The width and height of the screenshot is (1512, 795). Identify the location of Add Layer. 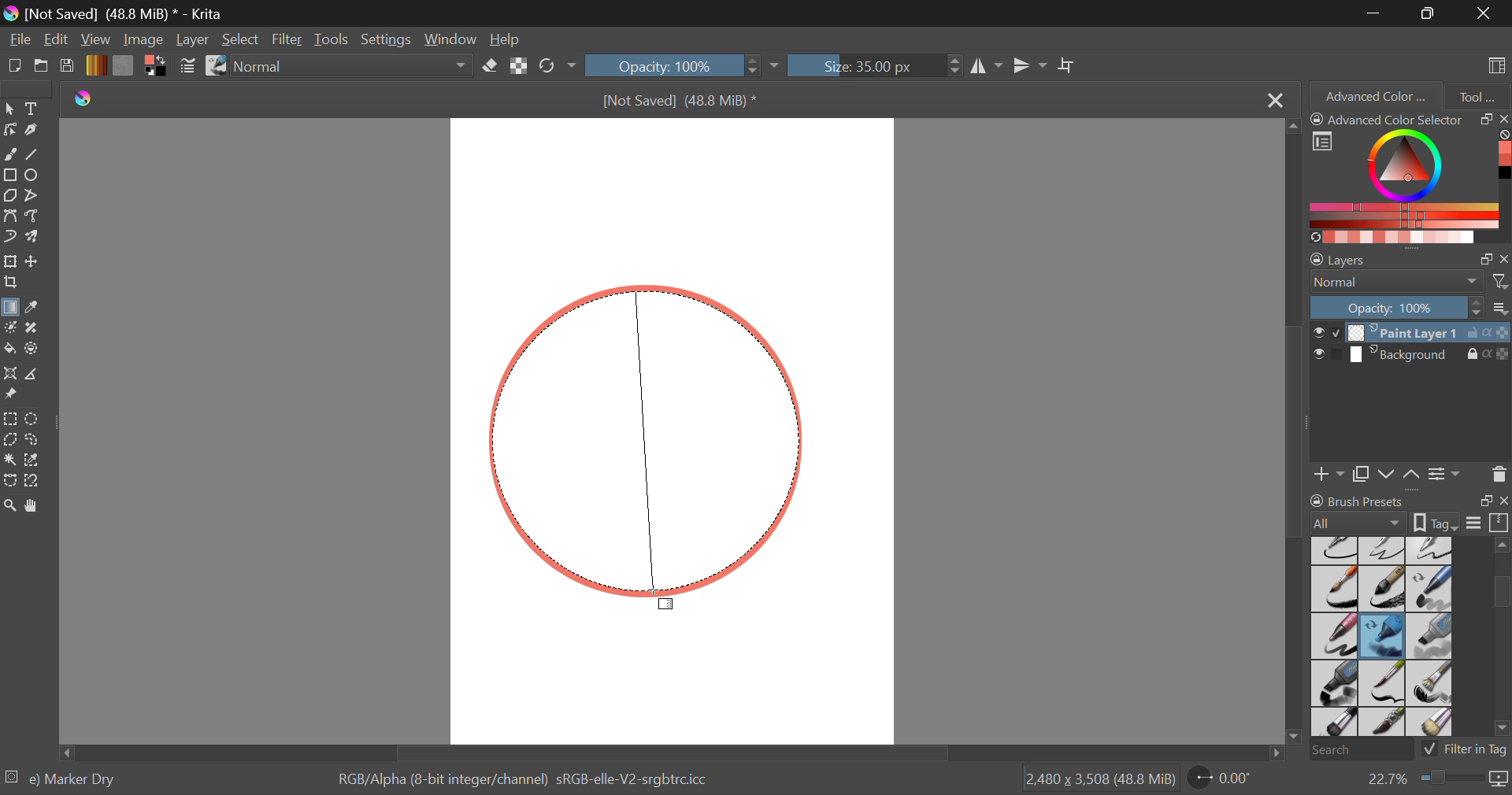
(1329, 472).